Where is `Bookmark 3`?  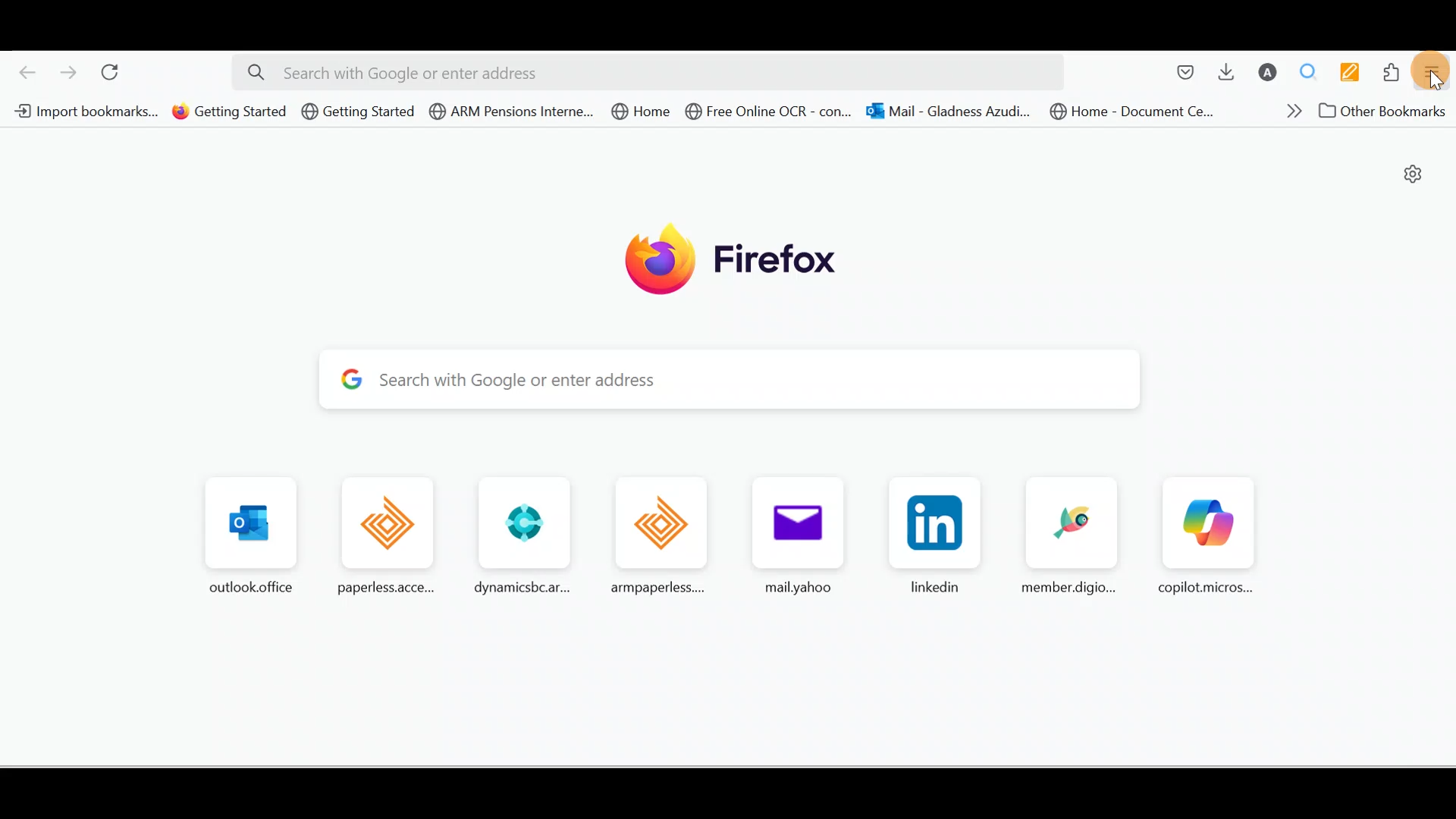 Bookmark 3 is located at coordinates (359, 112).